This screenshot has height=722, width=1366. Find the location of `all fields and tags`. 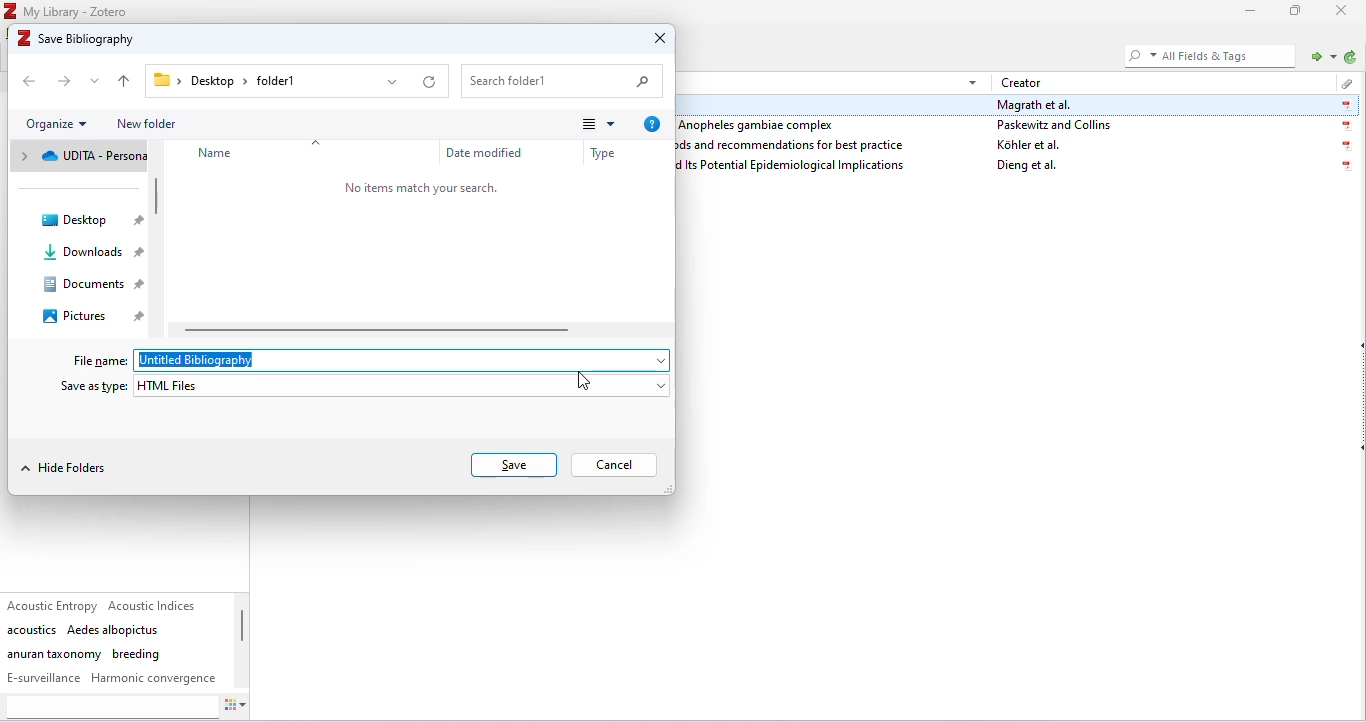

all fields and tags is located at coordinates (1207, 55).